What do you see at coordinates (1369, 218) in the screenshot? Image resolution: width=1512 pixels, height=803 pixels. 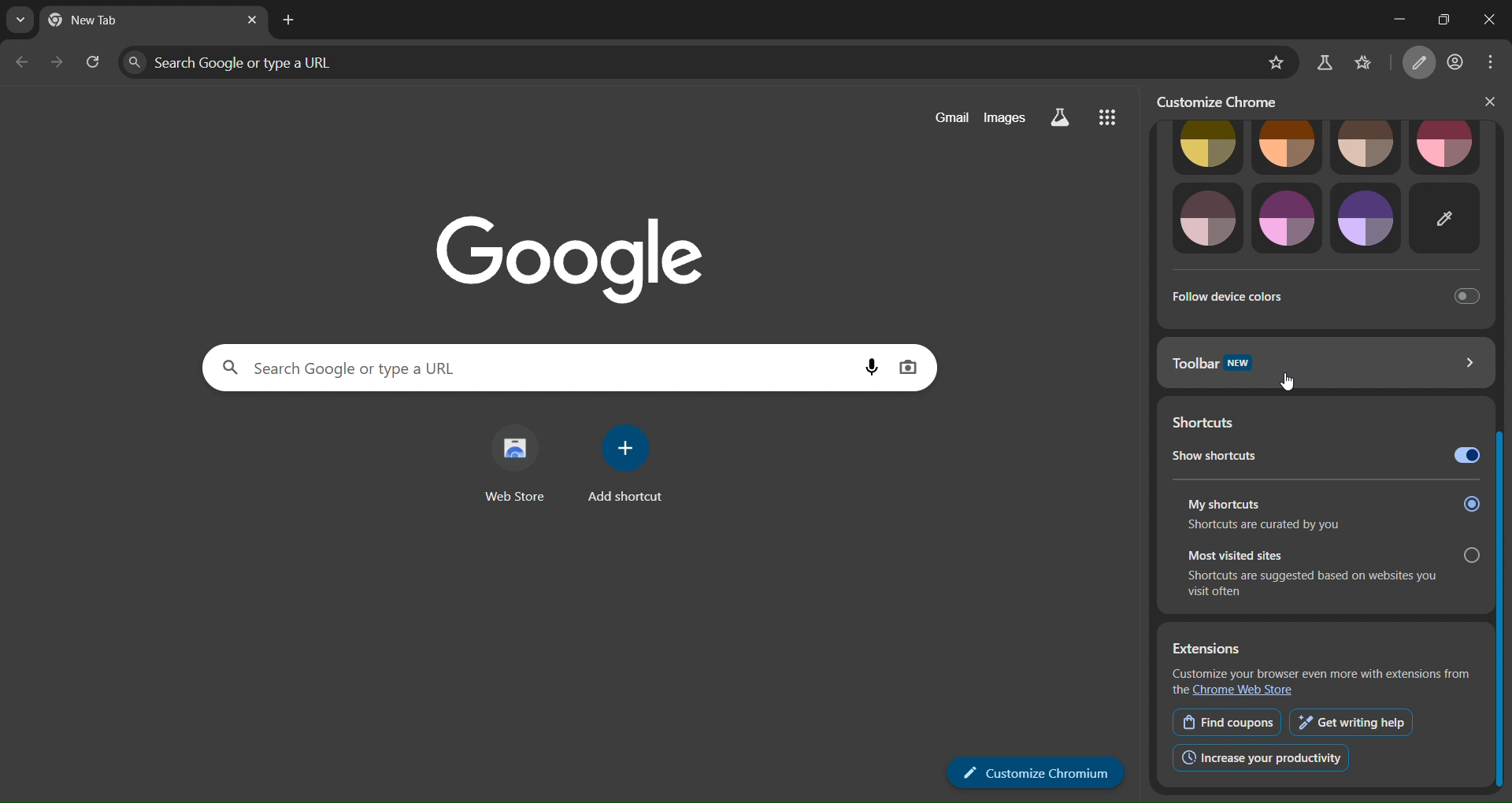 I see `image` at bounding box center [1369, 218].